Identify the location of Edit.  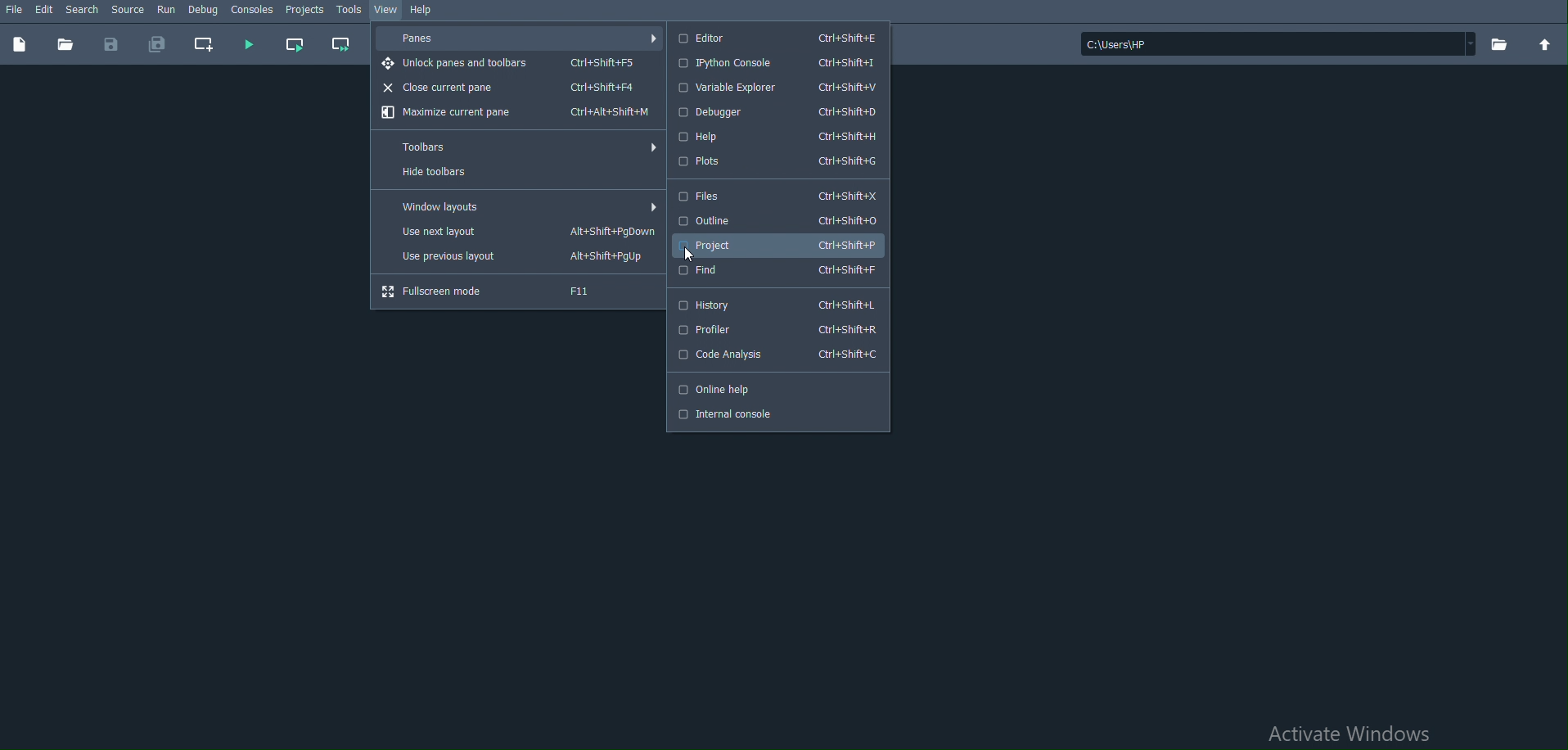
(45, 8).